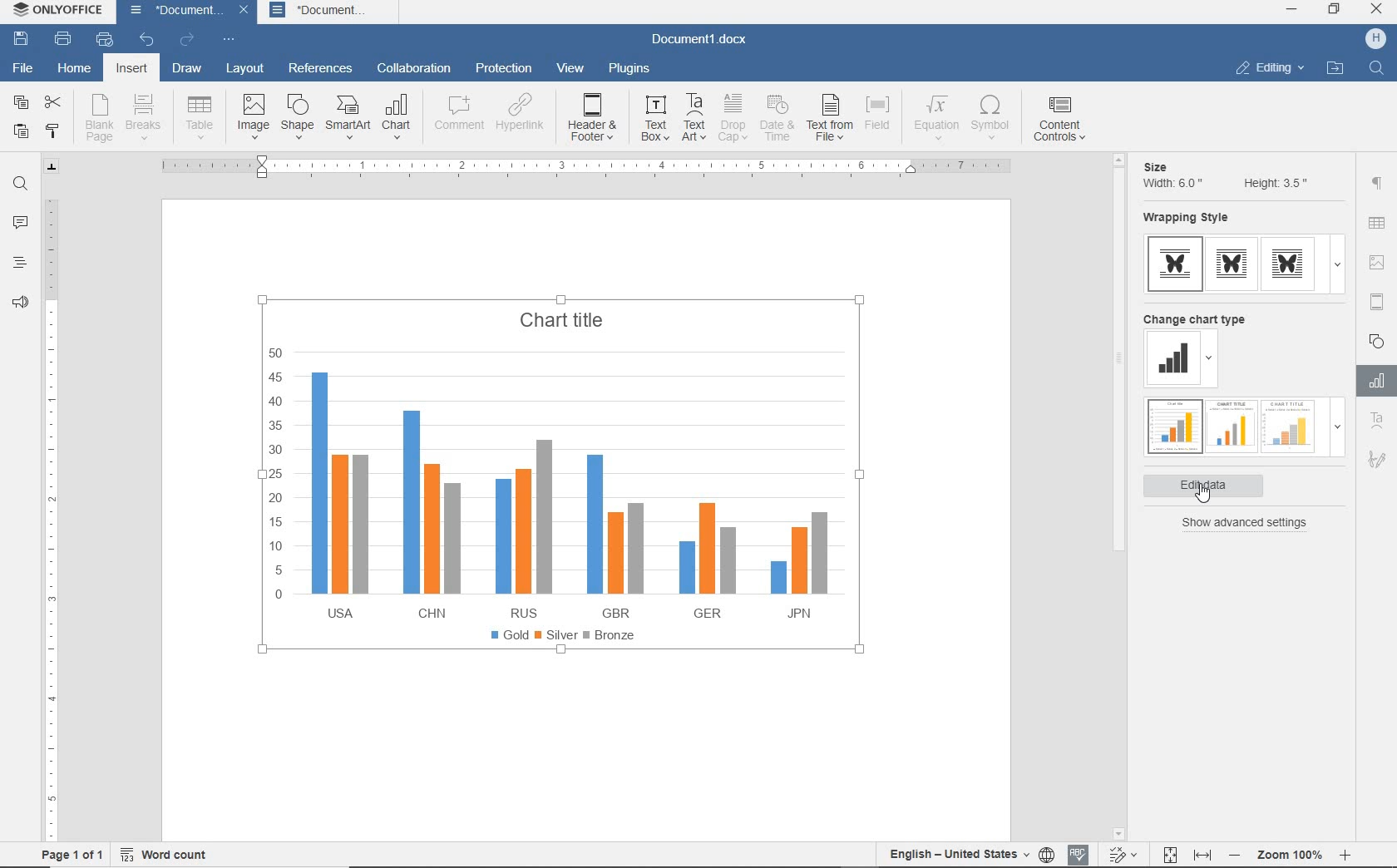  I want to click on type 2 , so click(1229, 425).